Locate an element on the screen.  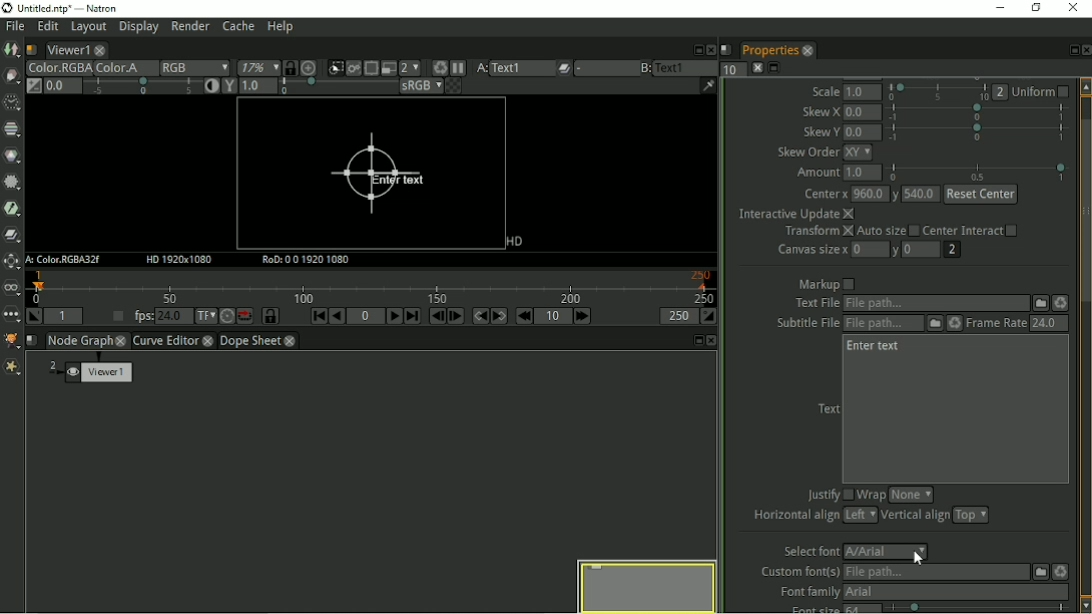
Clear all panels is located at coordinates (757, 68).